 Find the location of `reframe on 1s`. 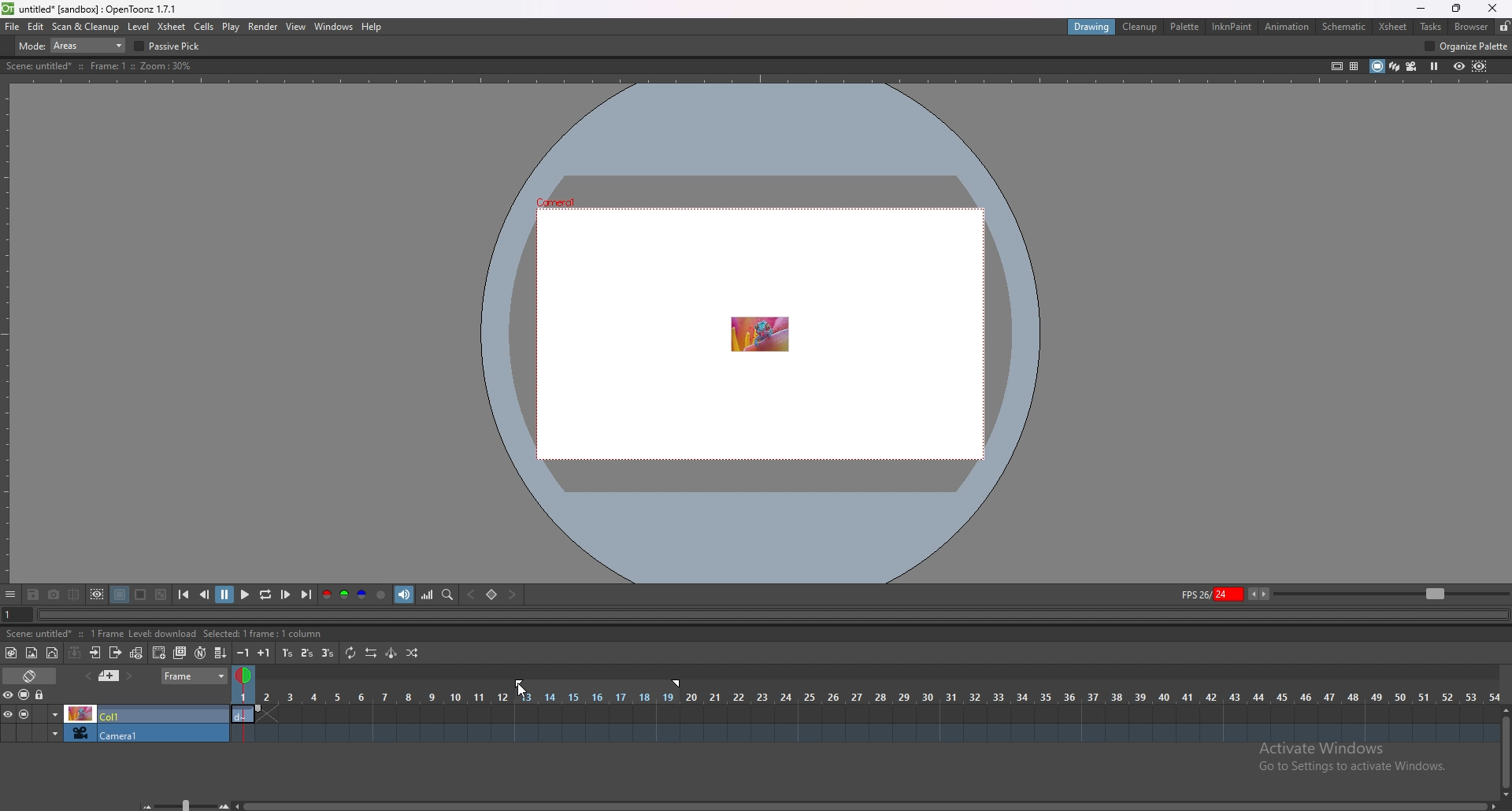

reframe on 1s is located at coordinates (287, 654).